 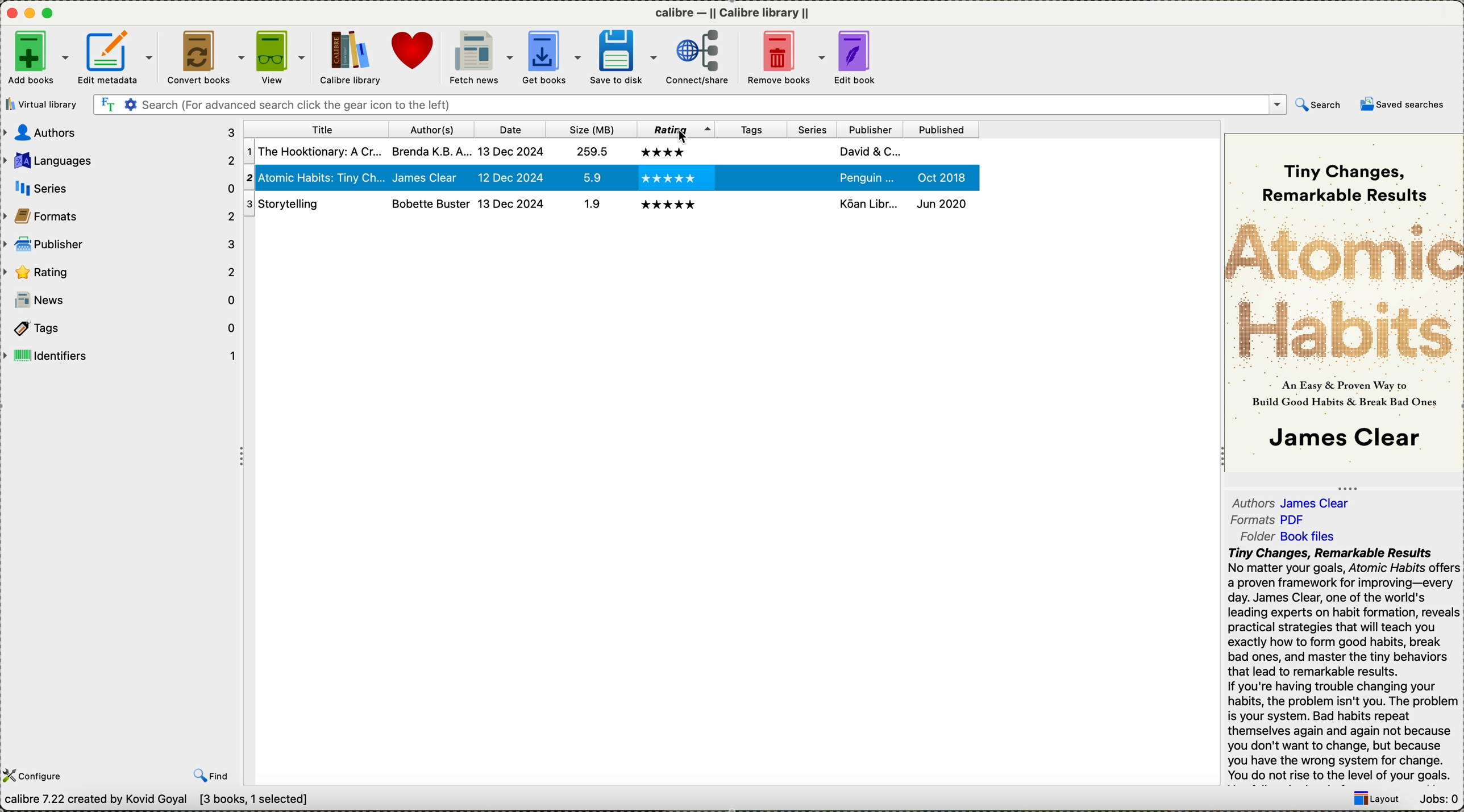 I want to click on Layout, so click(x=1371, y=801).